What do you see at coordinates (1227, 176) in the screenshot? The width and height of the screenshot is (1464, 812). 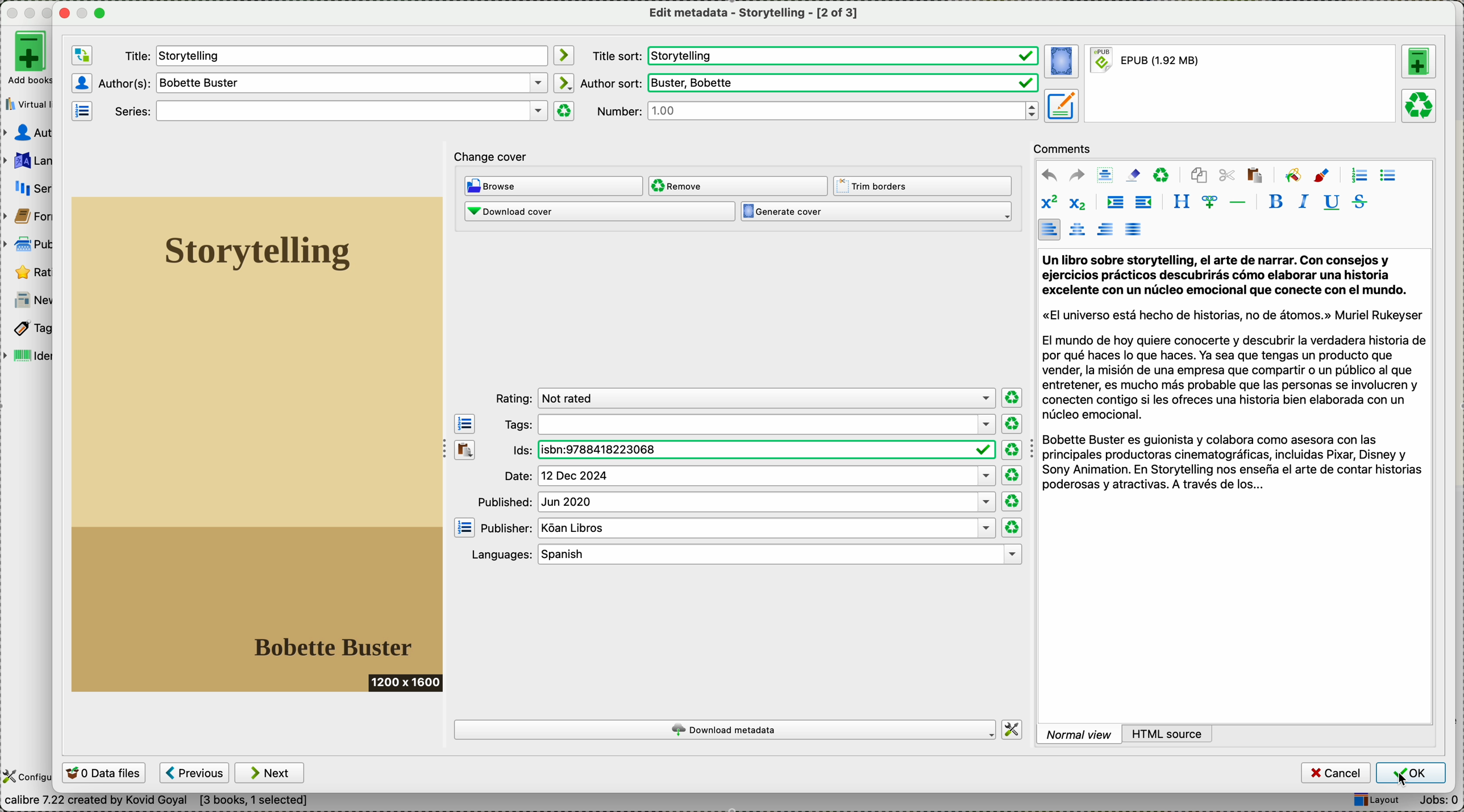 I see `cut` at bounding box center [1227, 176].